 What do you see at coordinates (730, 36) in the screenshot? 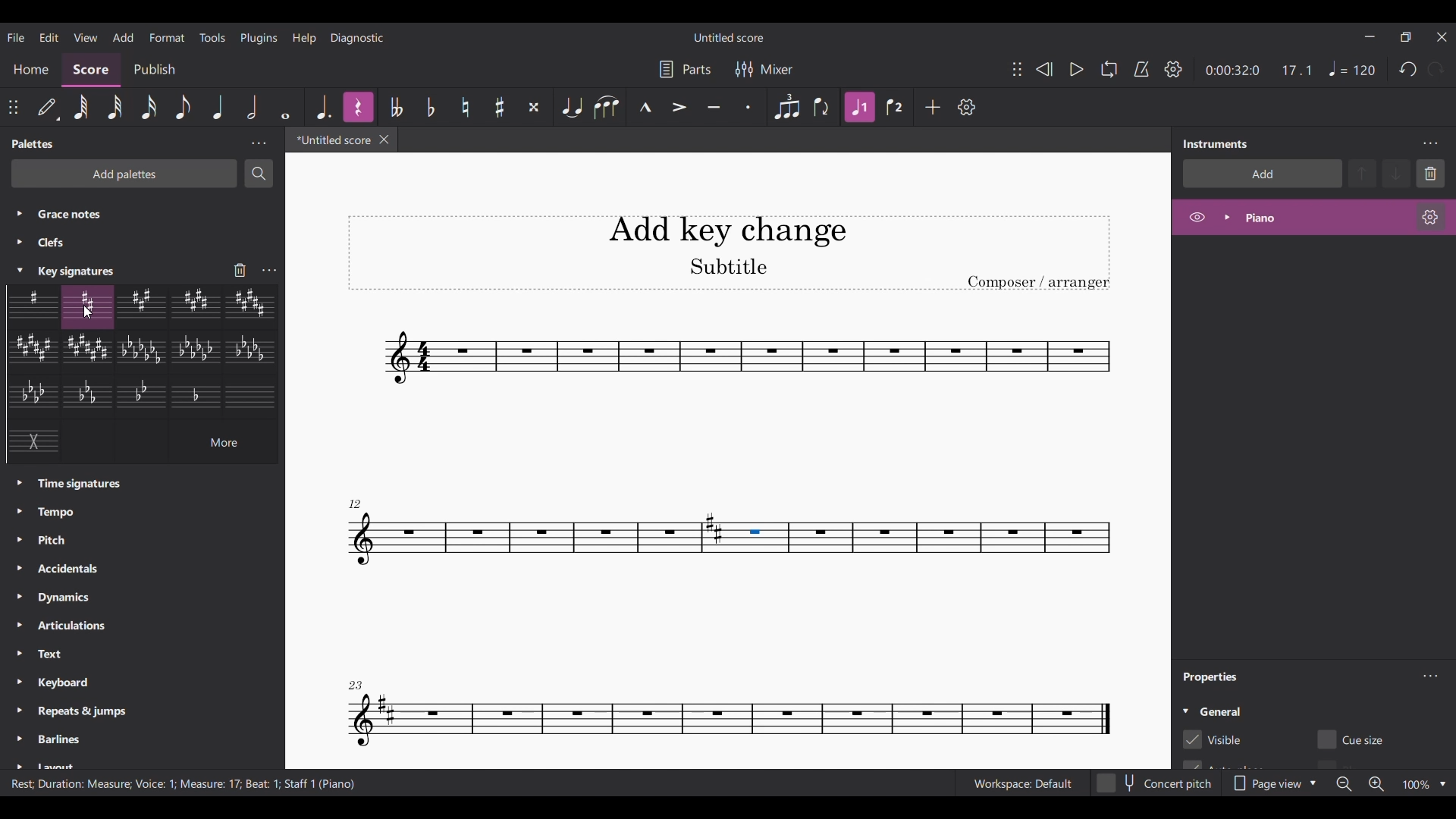
I see `Score name` at bounding box center [730, 36].